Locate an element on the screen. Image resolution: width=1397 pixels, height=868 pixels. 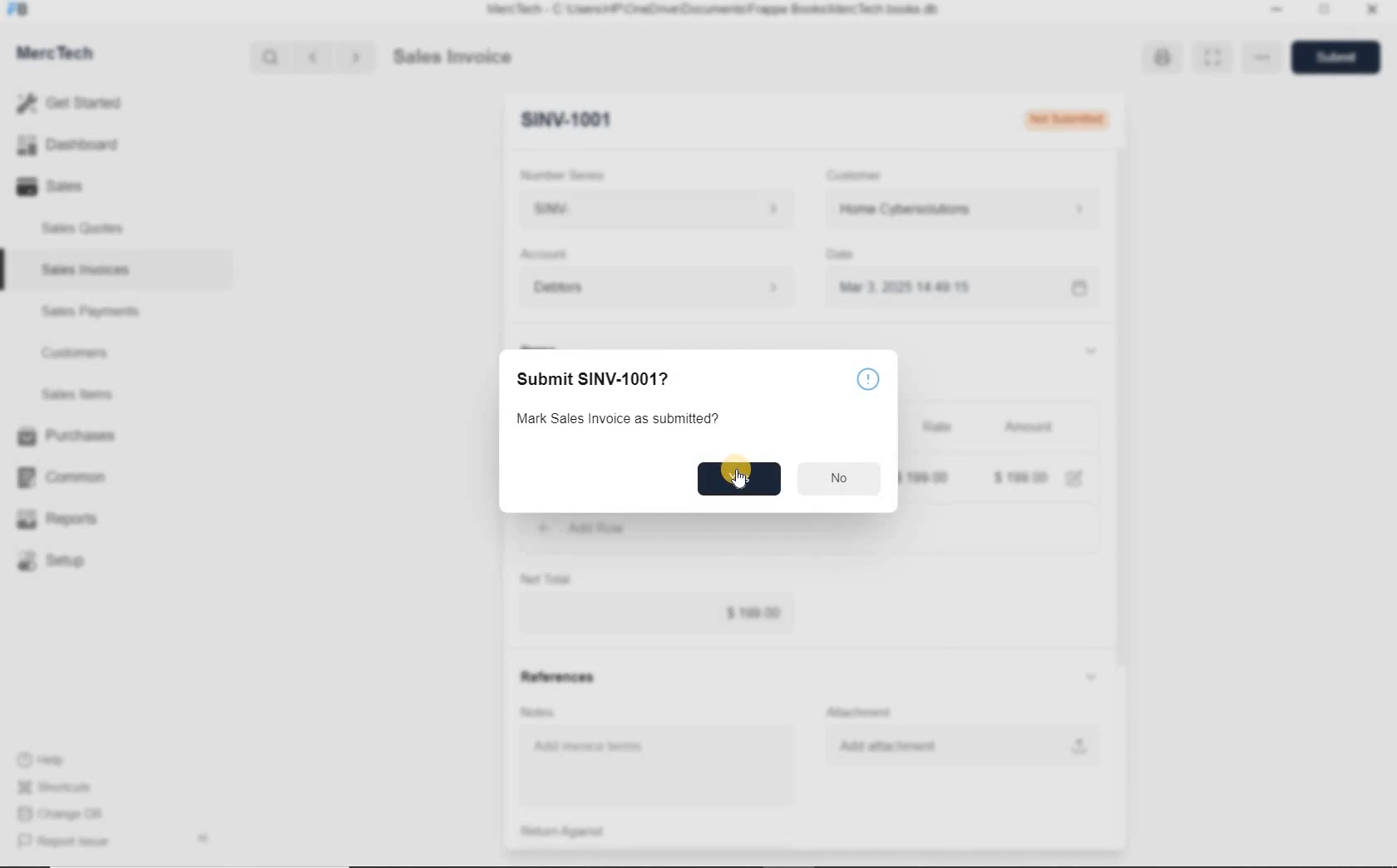
Go forward is located at coordinates (355, 57).